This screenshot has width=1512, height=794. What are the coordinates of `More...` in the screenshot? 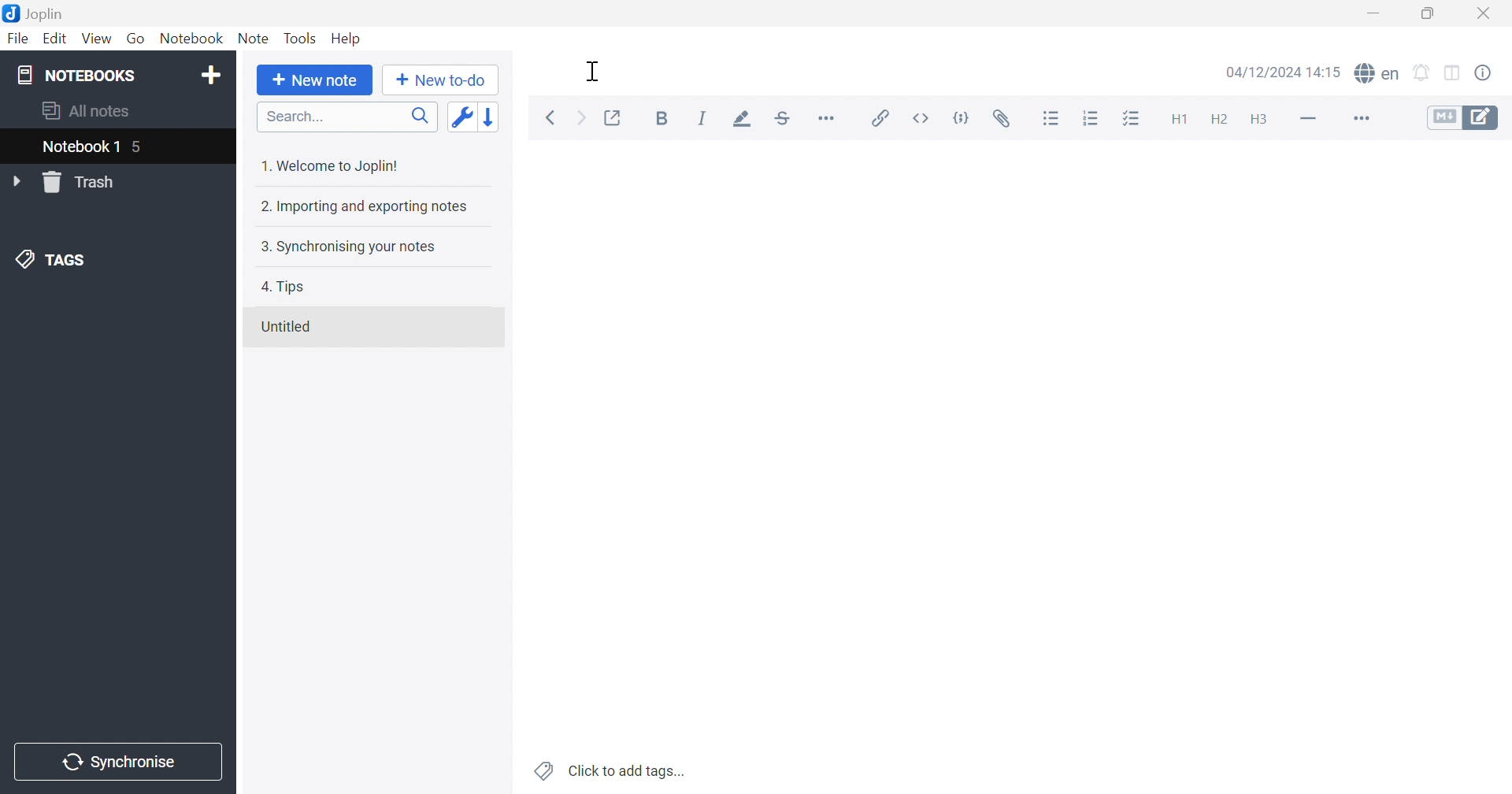 It's located at (826, 117).